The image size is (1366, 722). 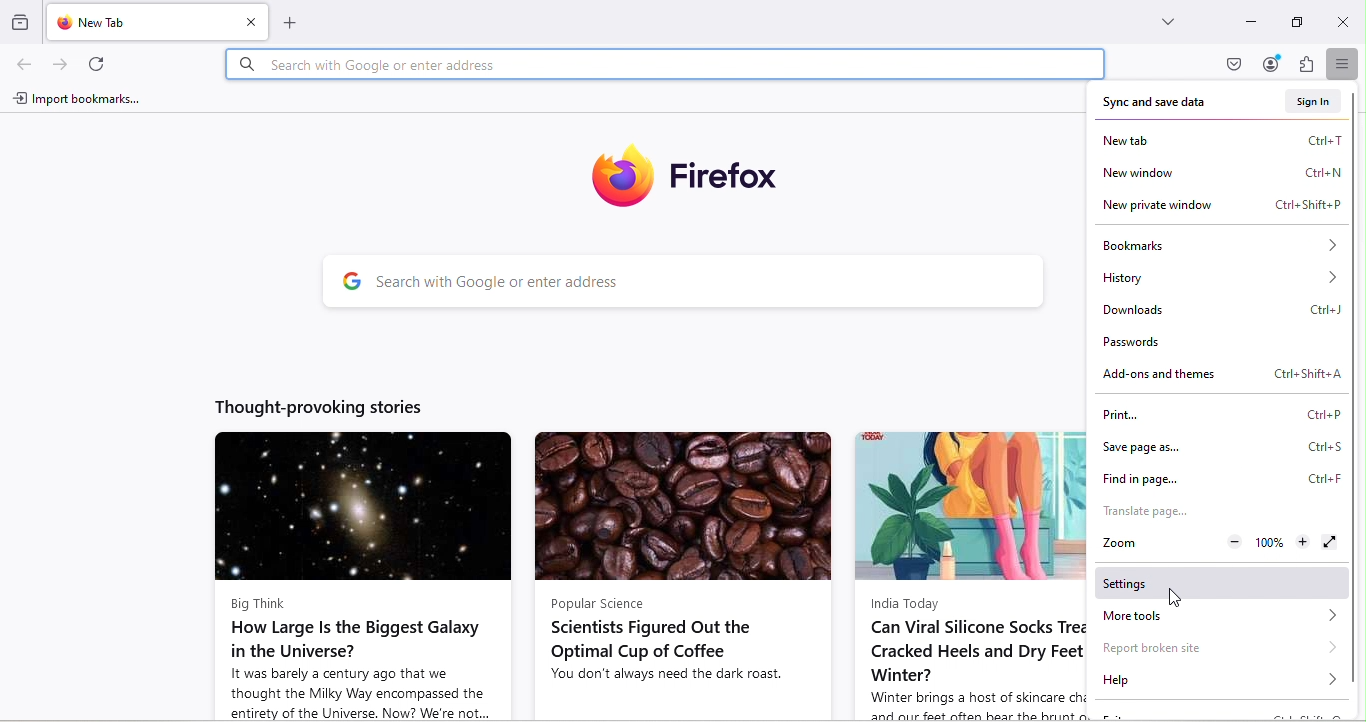 I want to click on Image, so click(x=677, y=503).